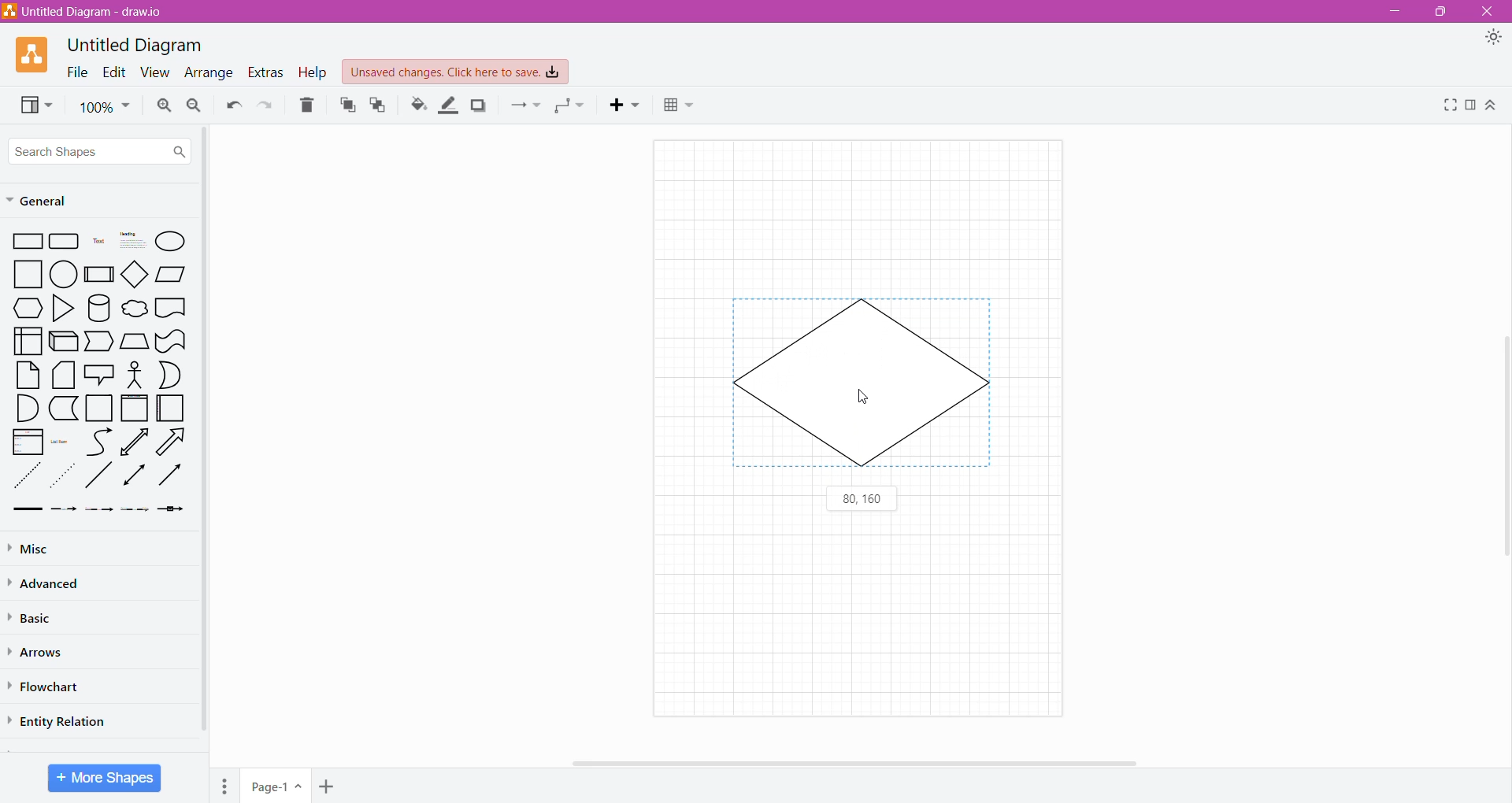 The height and width of the screenshot is (803, 1512). What do you see at coordinates (679, 107) in the screenshot?
I see `Table` at bounding box center [679, 107].